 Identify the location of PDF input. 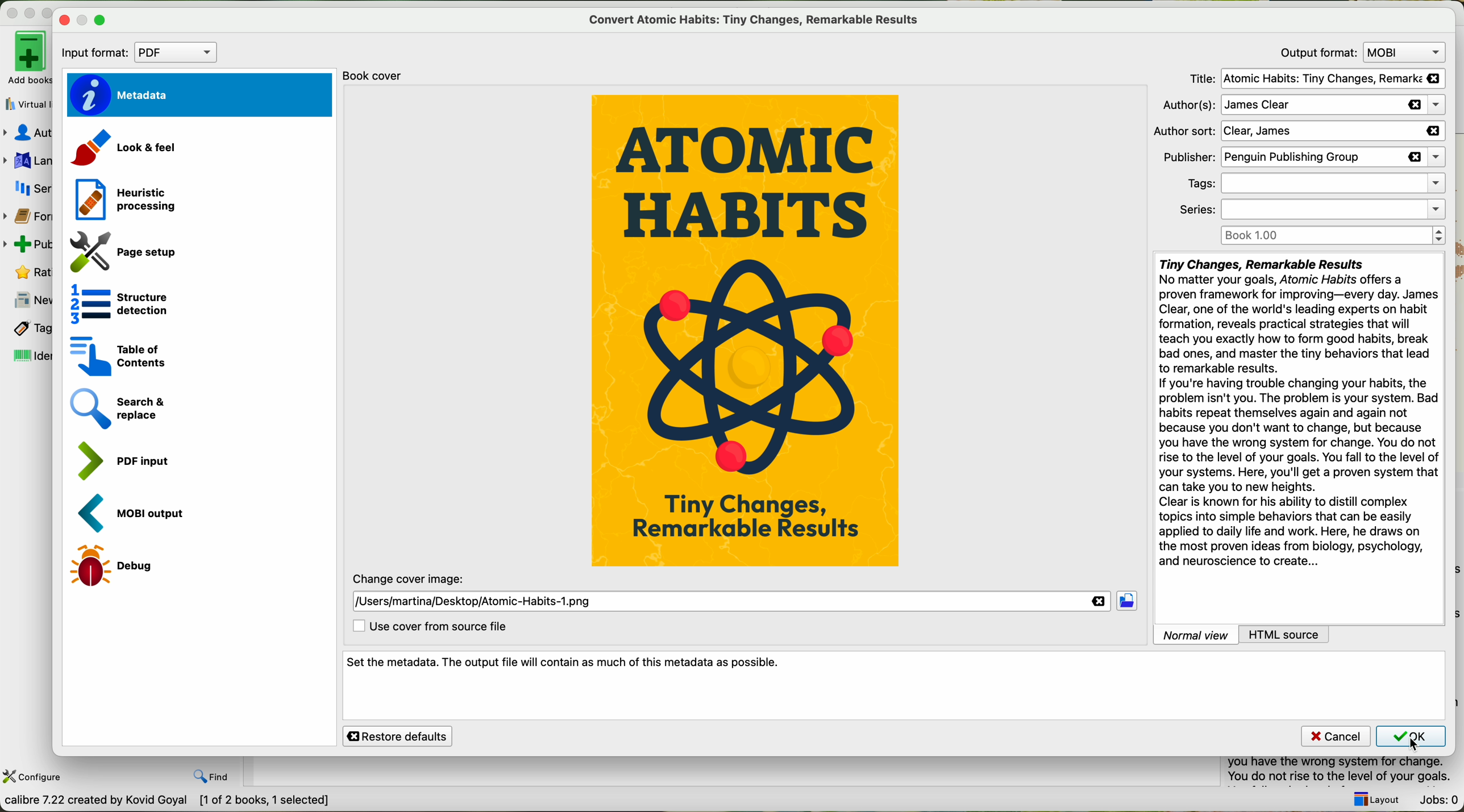
(123, 461).